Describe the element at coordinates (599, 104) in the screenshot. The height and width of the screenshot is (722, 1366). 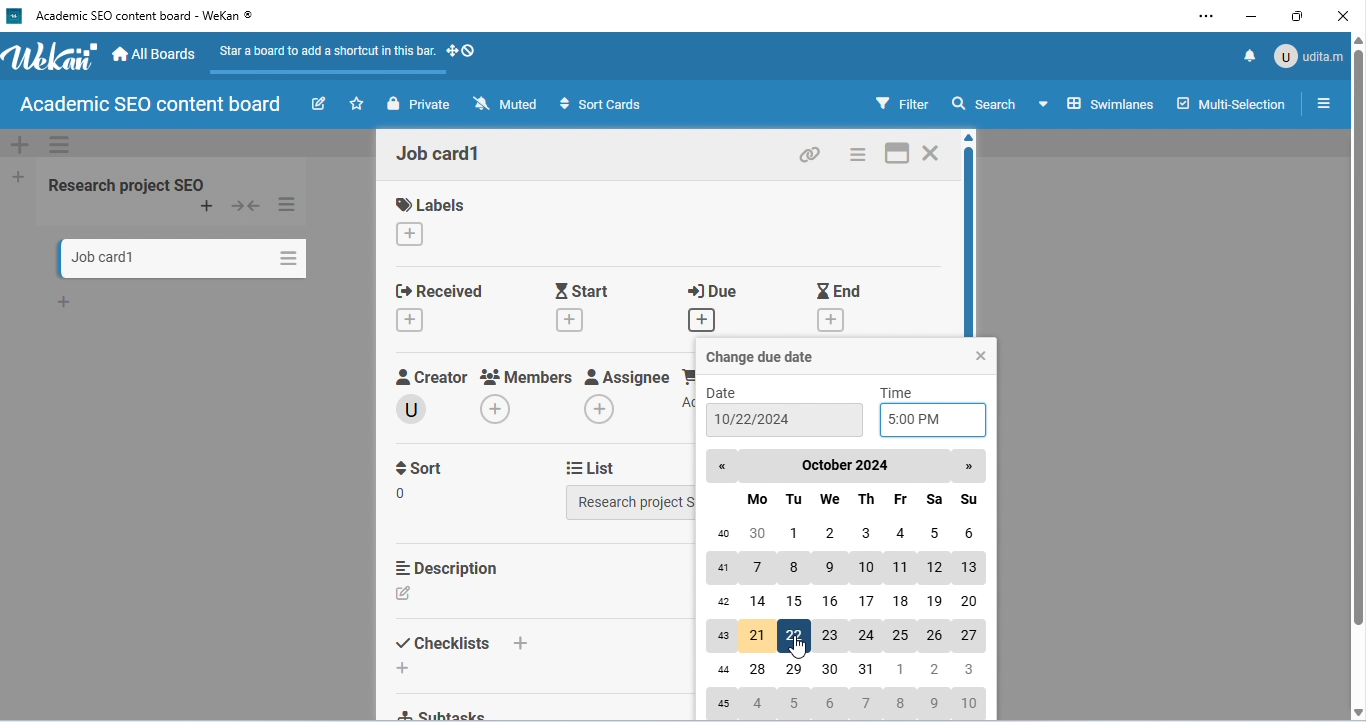
I see `sort cards` at that location.